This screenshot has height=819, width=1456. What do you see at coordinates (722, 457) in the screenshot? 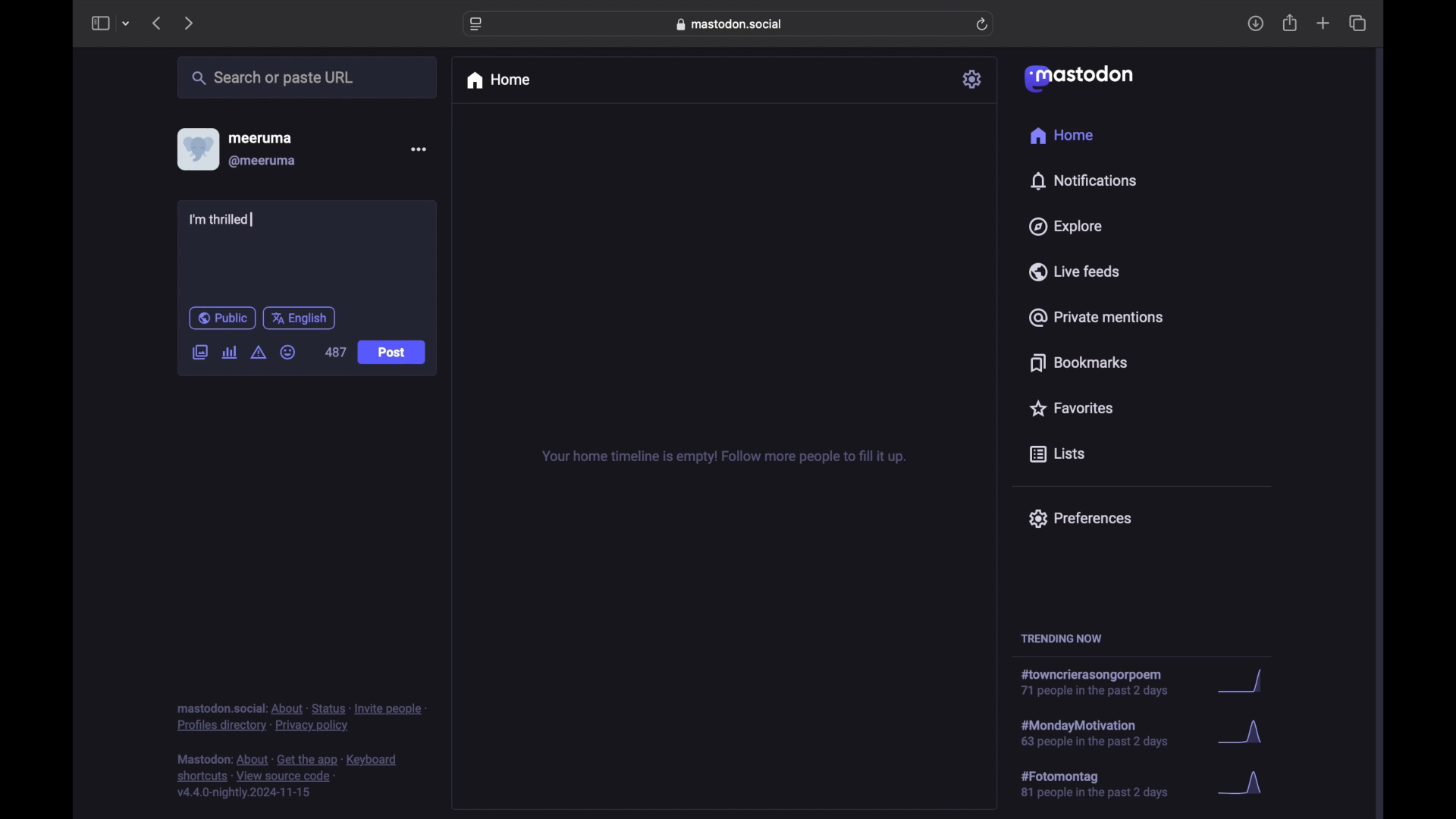
I see `your home timeline is  empty! follow for more tips` at bounding box center [722, 457].